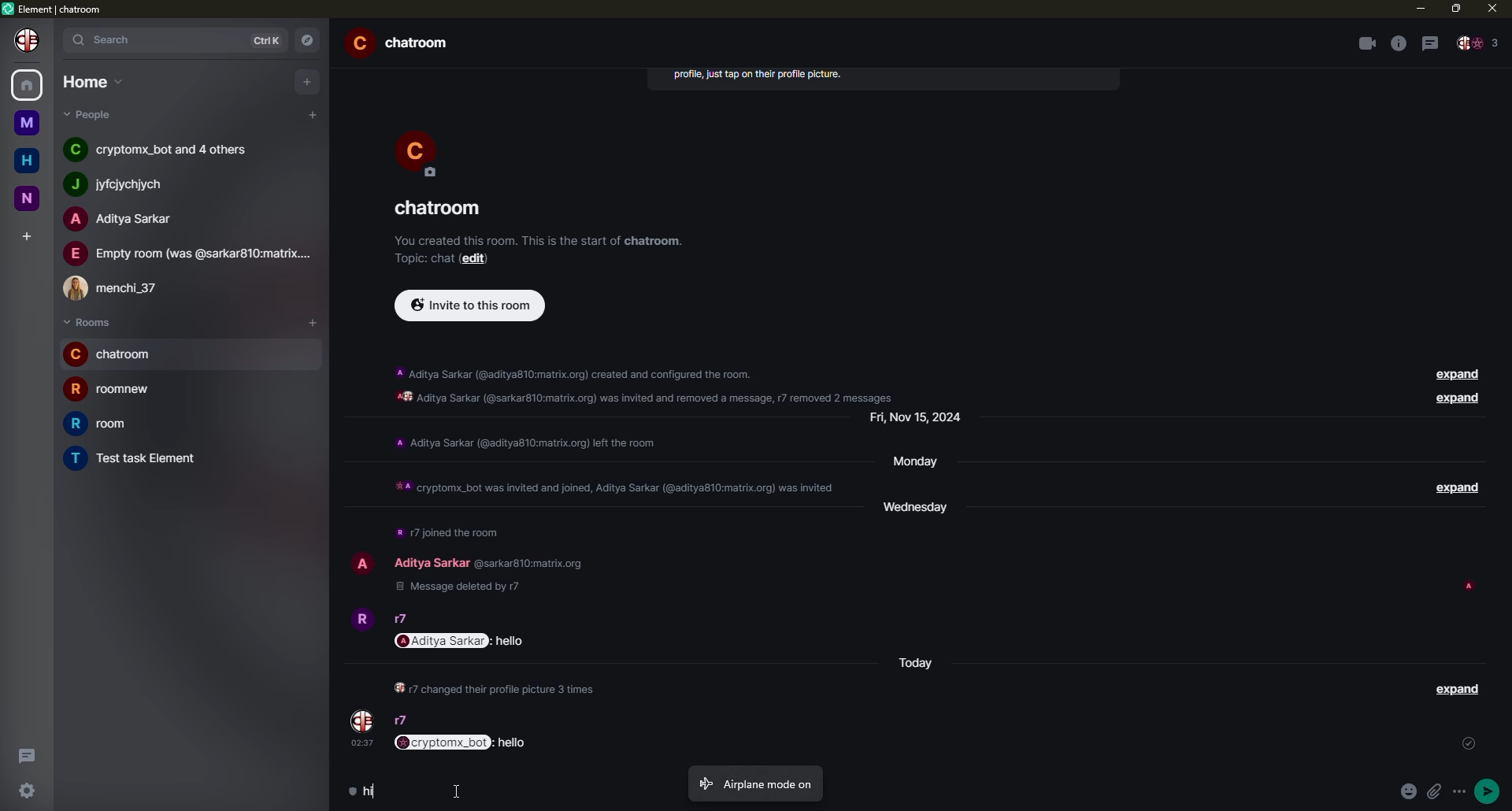  I want to click on edit, so click(477, 258).